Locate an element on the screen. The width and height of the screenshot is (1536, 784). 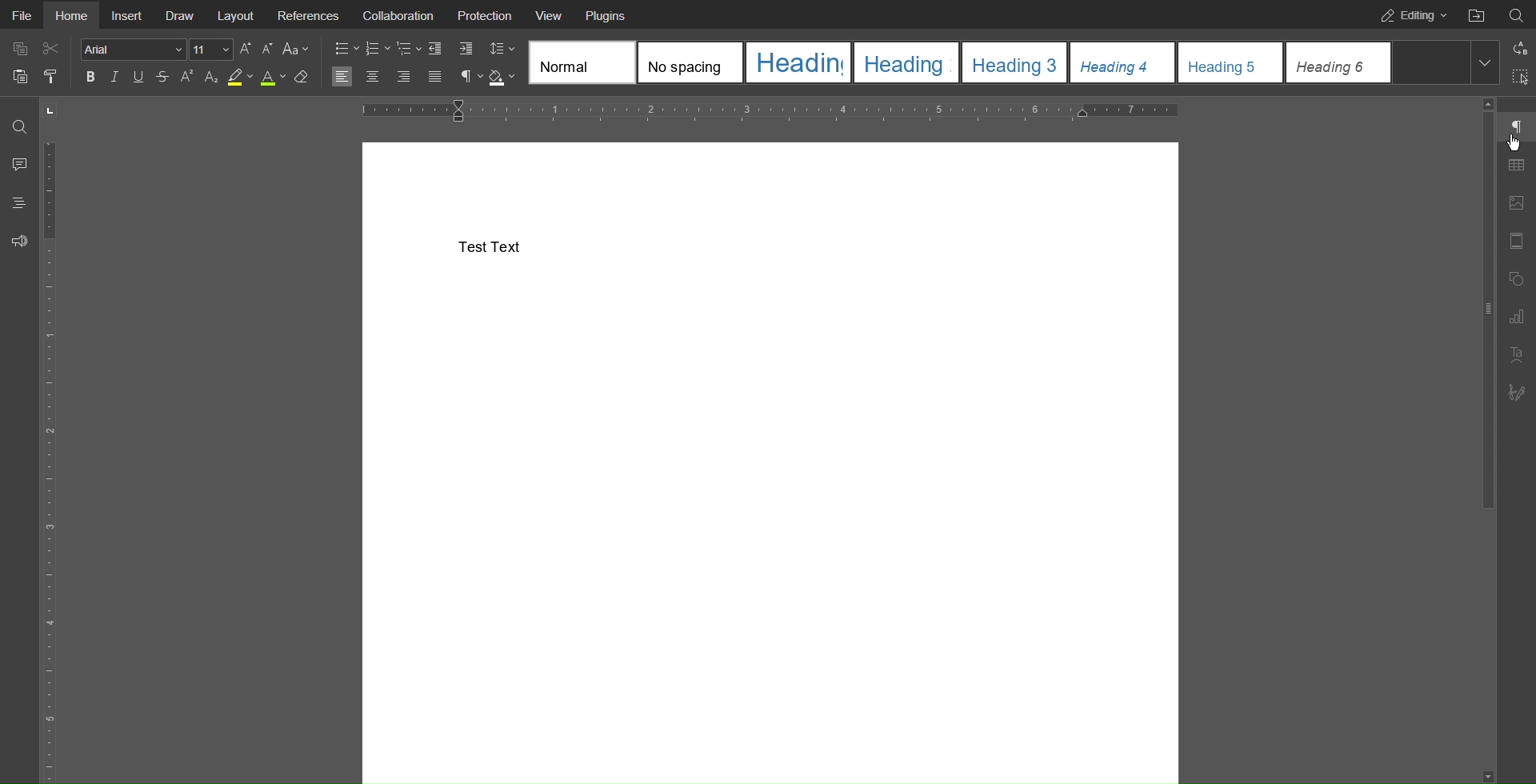
Horizontal Ruler is located at coordinates (766, 111).